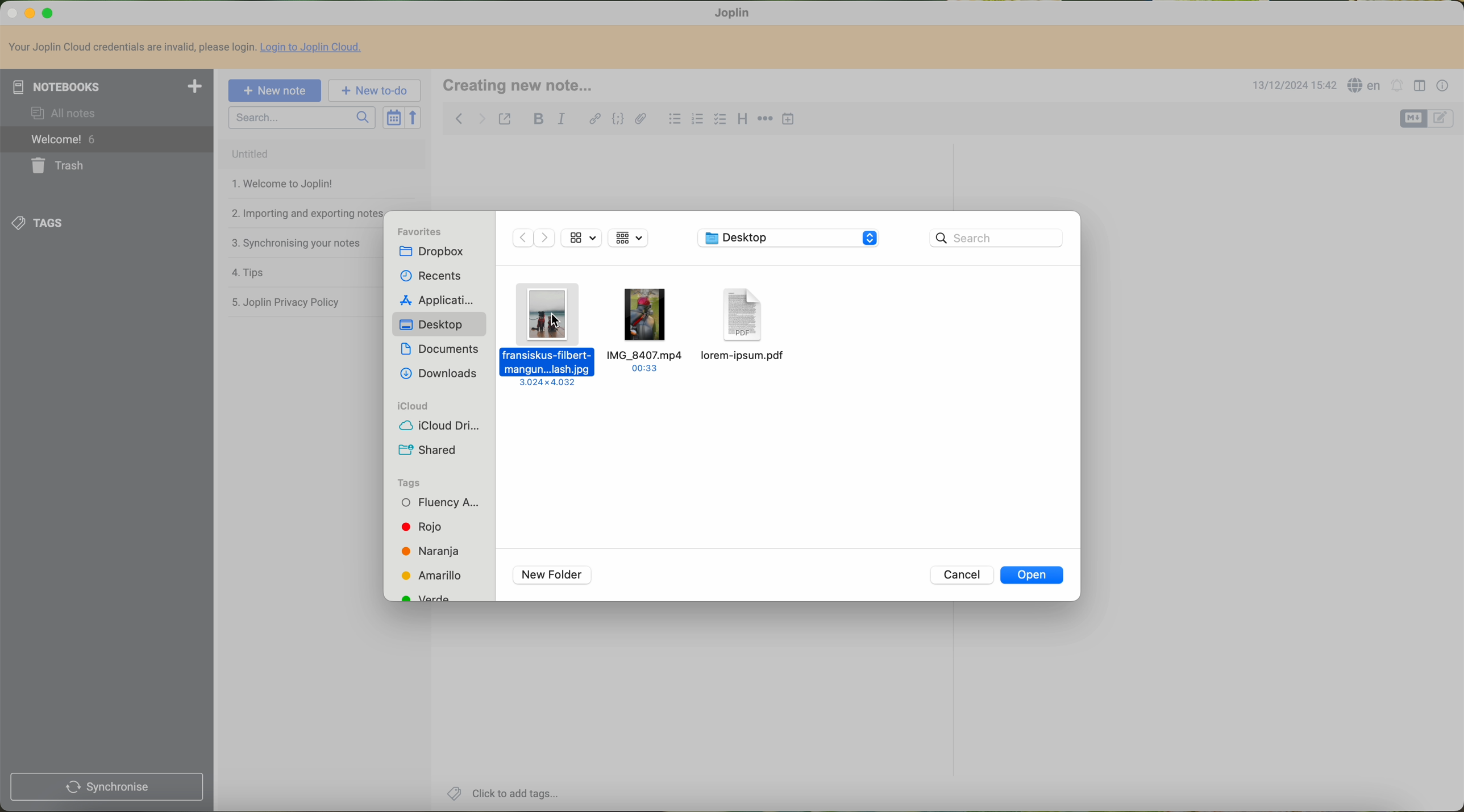  I want to click on synchronise, so click(106, 788).